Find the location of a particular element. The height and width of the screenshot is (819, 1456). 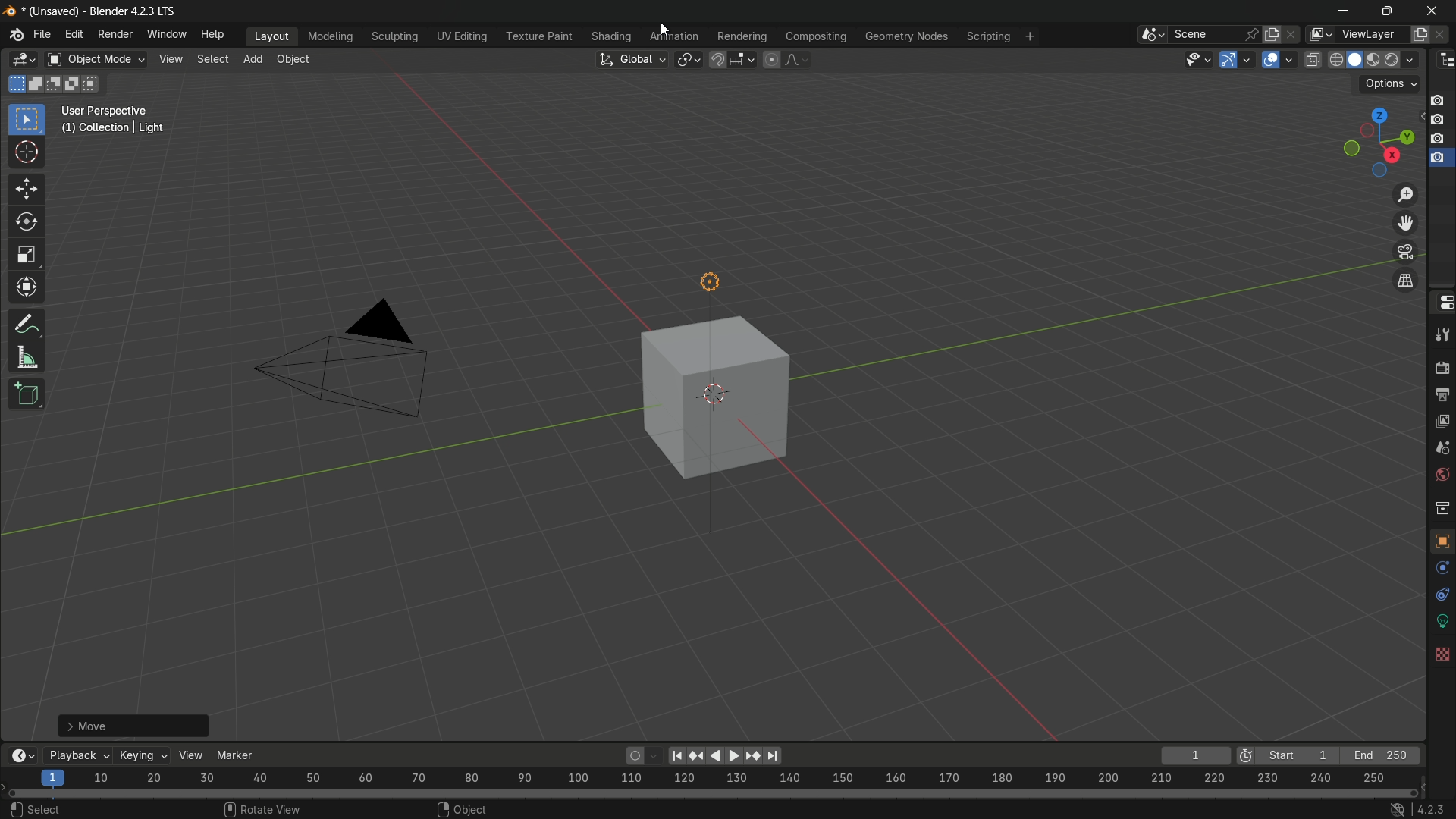

logo is located at coordinates (14, 36).